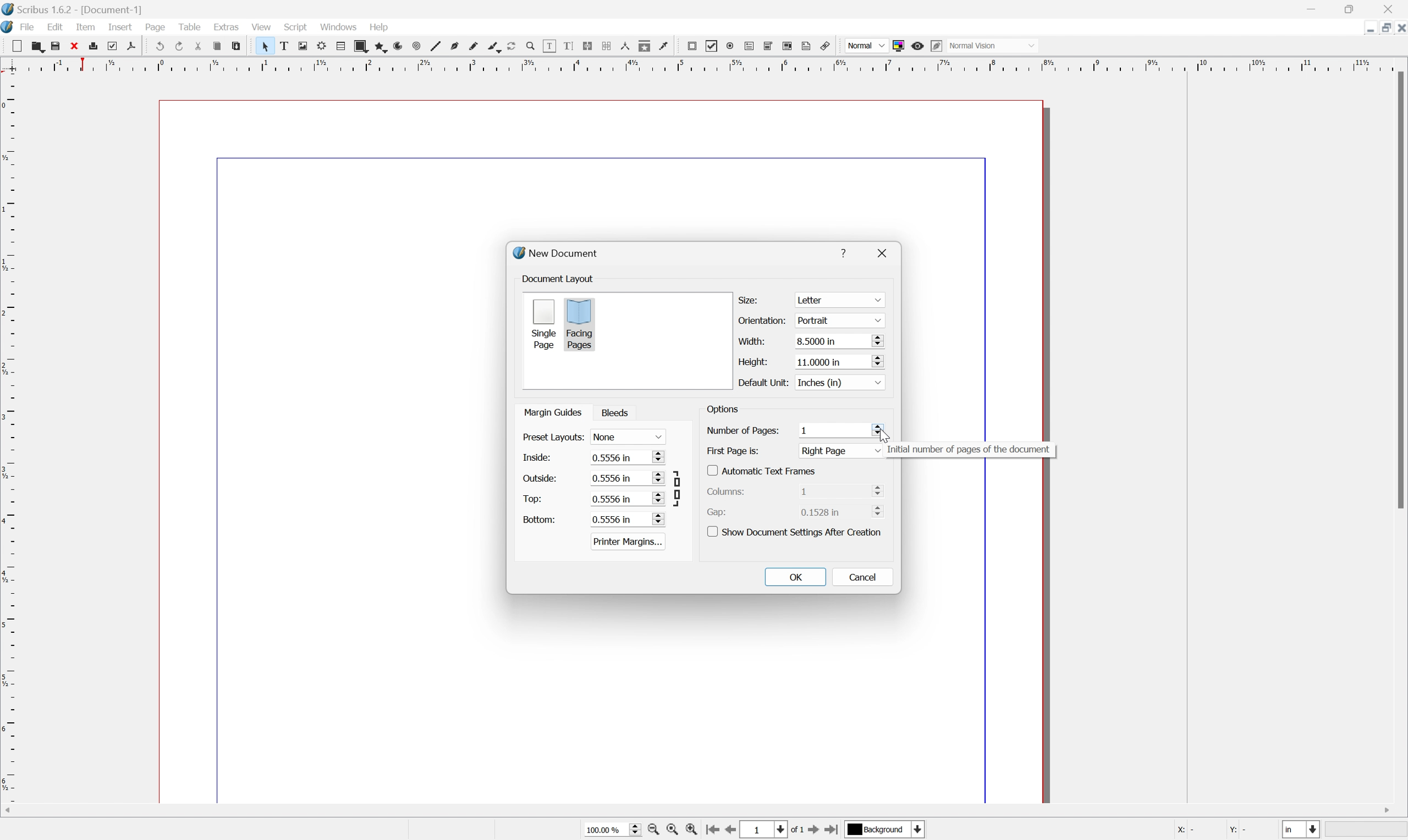 Image resolution: width=1408 pixels, height=840 pixels. What do you see at coordinates (797, 531) in the screenshot?
I see `Show document settings after creation` at bounding box center [797, 531].